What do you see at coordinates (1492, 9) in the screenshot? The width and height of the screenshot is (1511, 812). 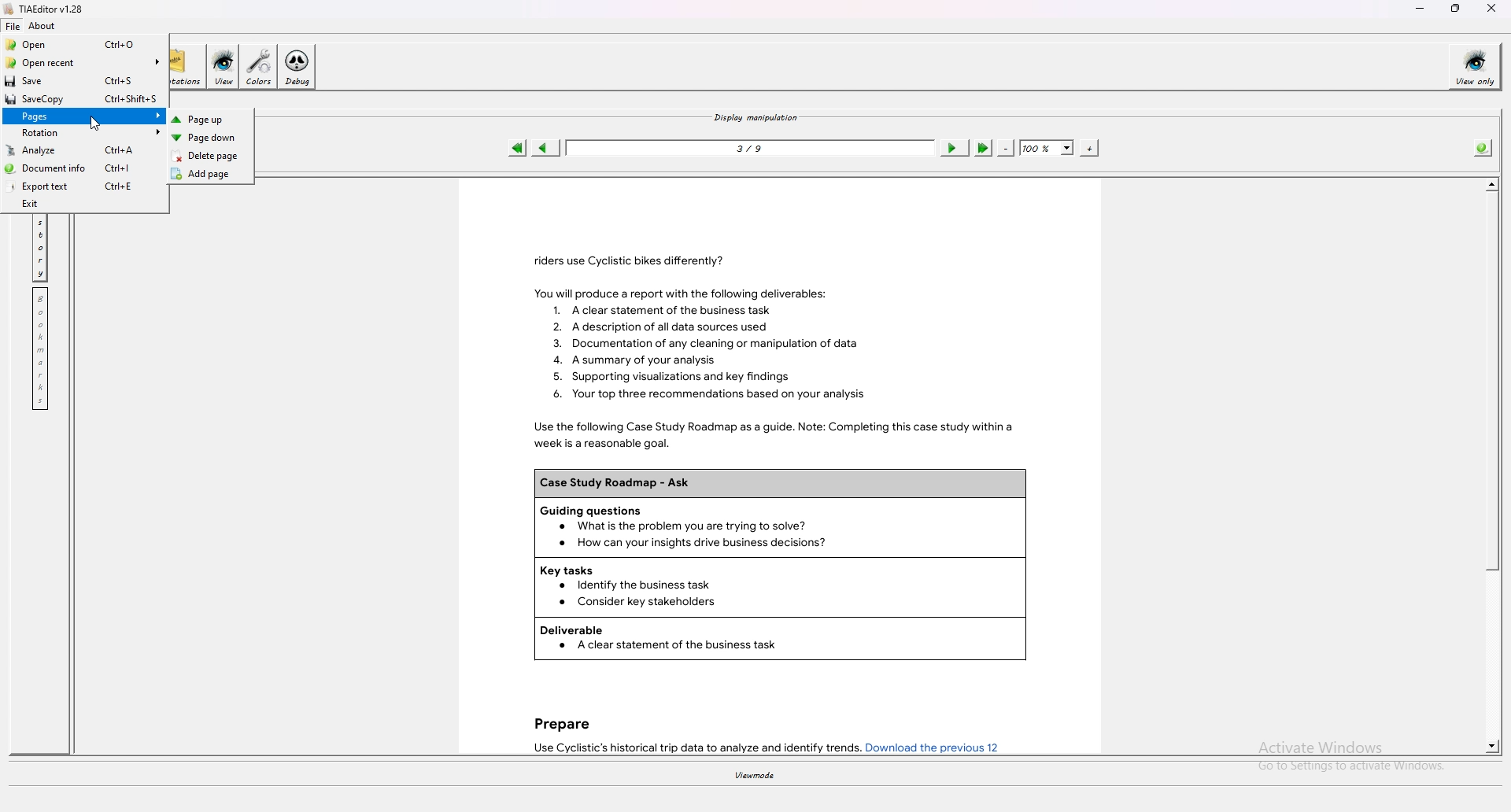 I see `close` at bounding box center [1492, 9].